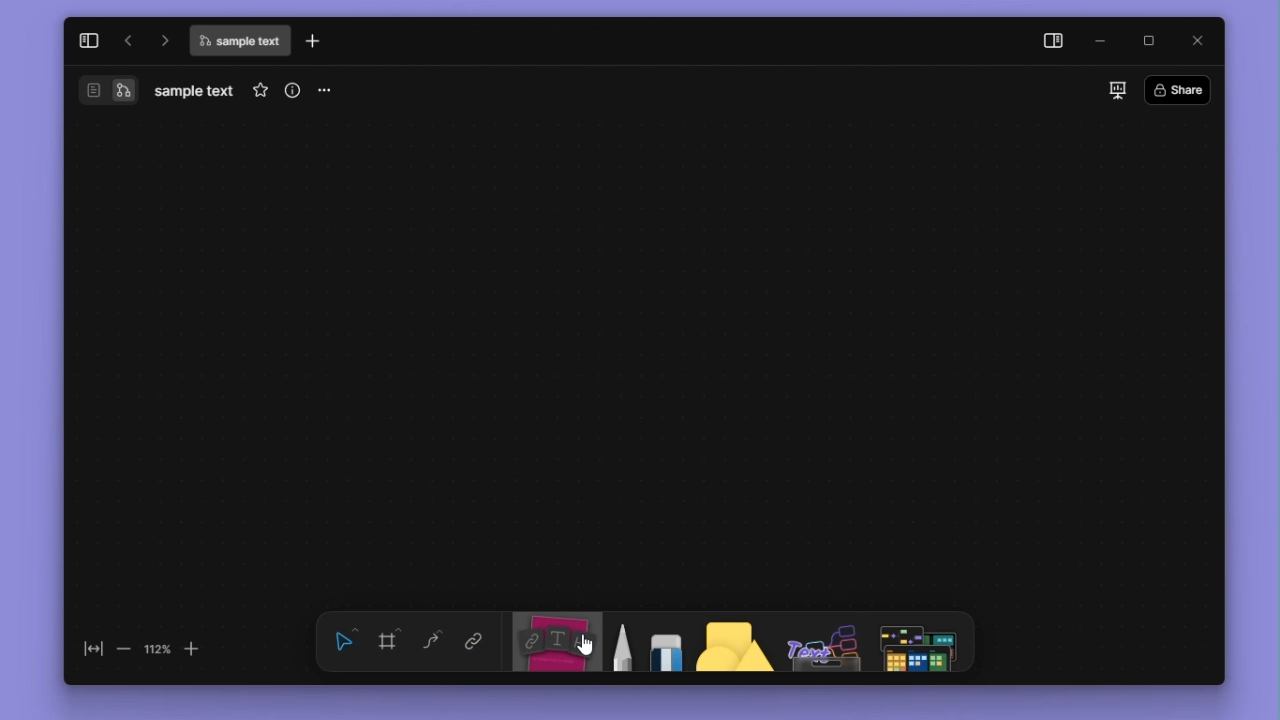 The height and width of the screenshot is (720, 1280). Describe the element at coordinates (432, 639) in the screenshot. I see `curve` at that location.